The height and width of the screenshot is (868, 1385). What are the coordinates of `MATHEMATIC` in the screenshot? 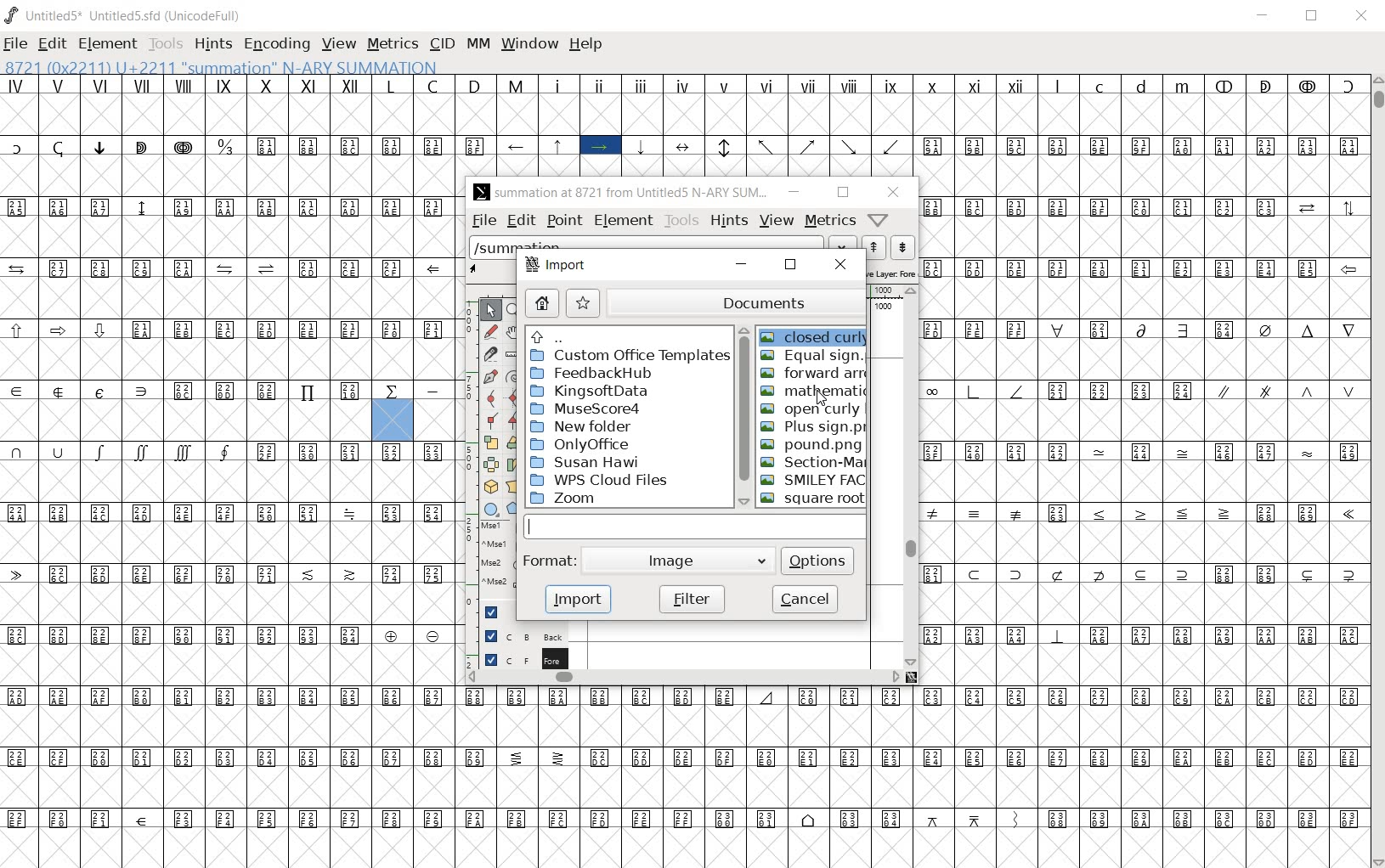 It's located at (813, 390).